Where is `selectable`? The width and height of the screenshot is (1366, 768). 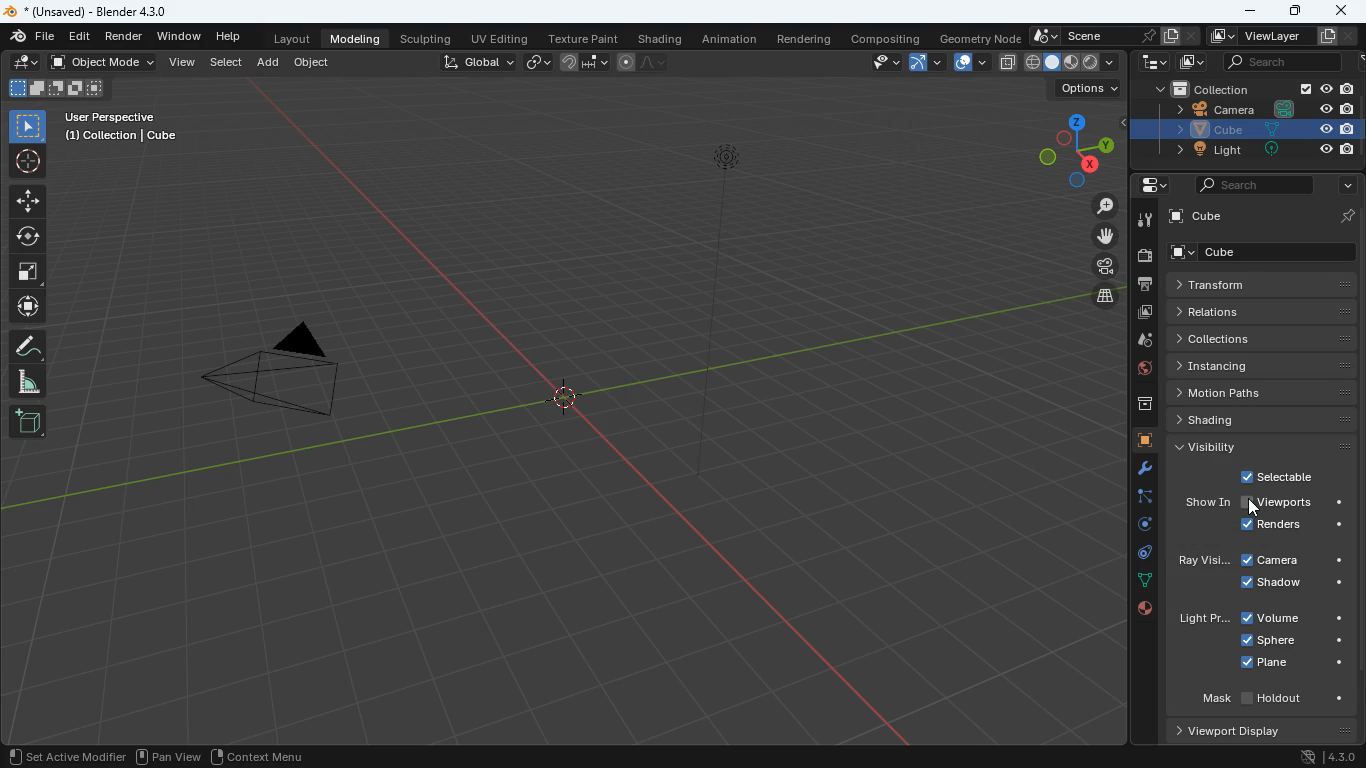 selectable is located at coordinates (1282, 475).